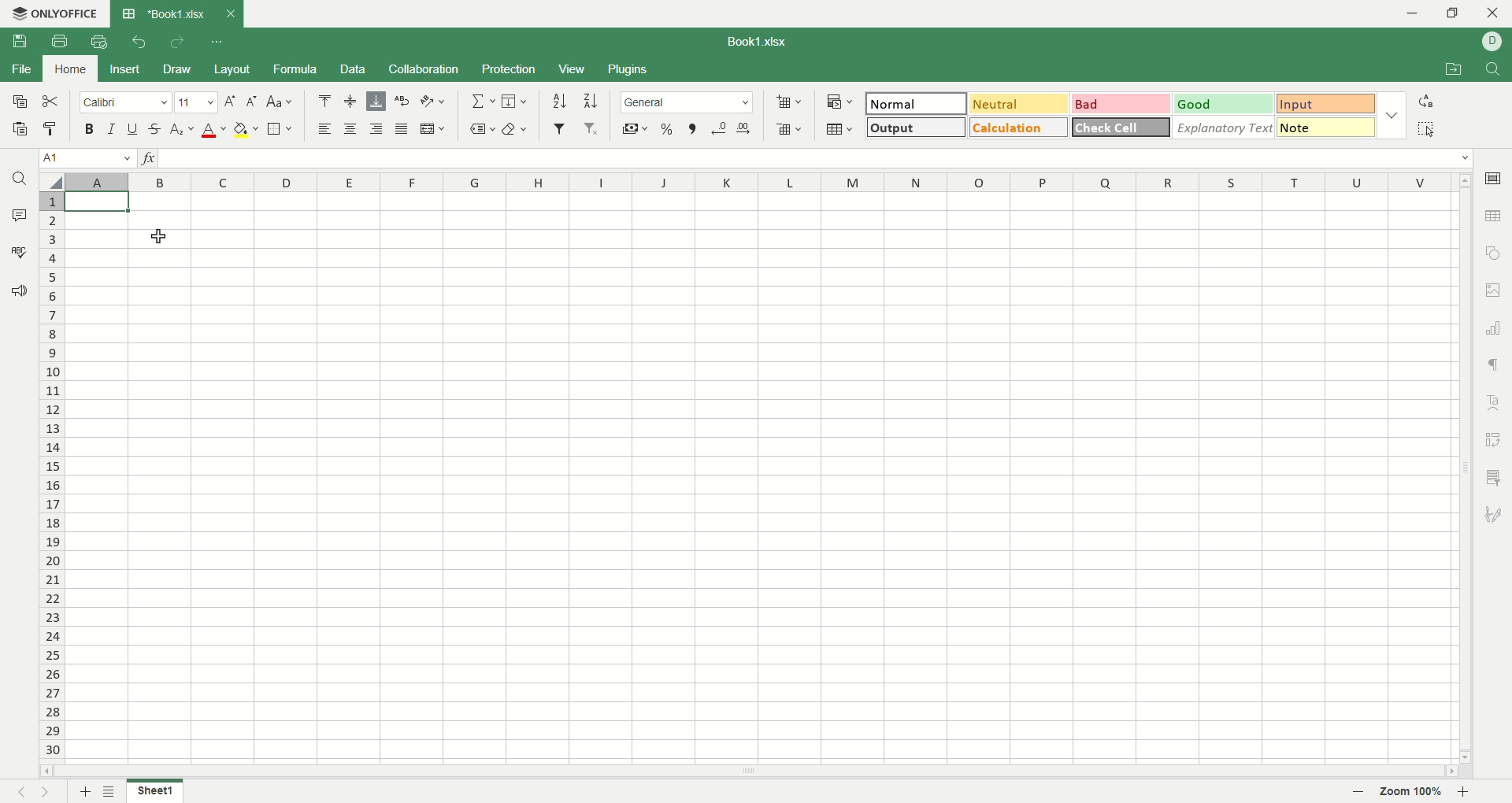 This screenshot has width=1512, height=803. What do you see at coordinates (246, 129) in the screenshot?
I see `background color` at bounding box center [246, 129].